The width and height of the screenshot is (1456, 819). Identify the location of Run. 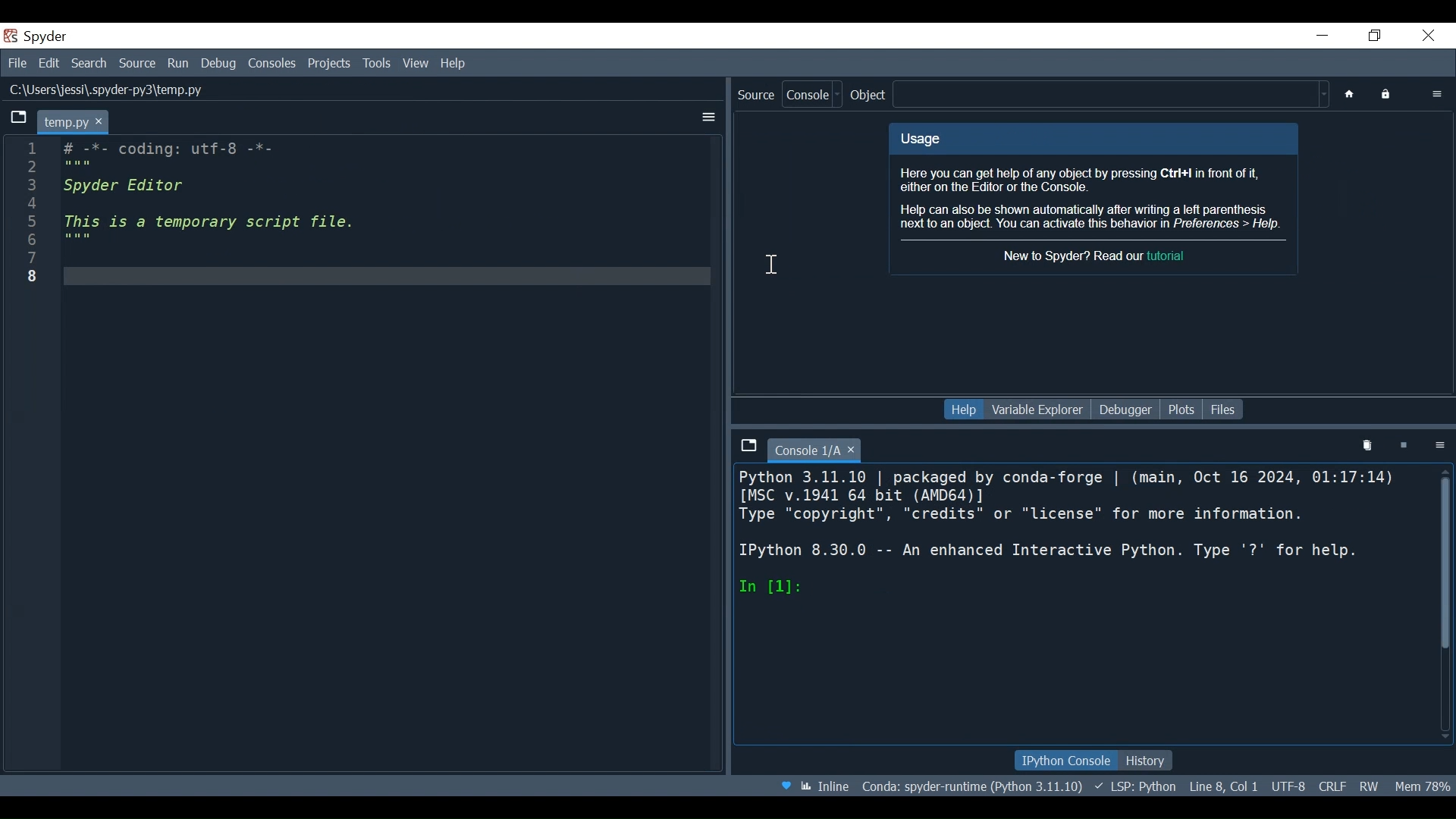
(179, 63).